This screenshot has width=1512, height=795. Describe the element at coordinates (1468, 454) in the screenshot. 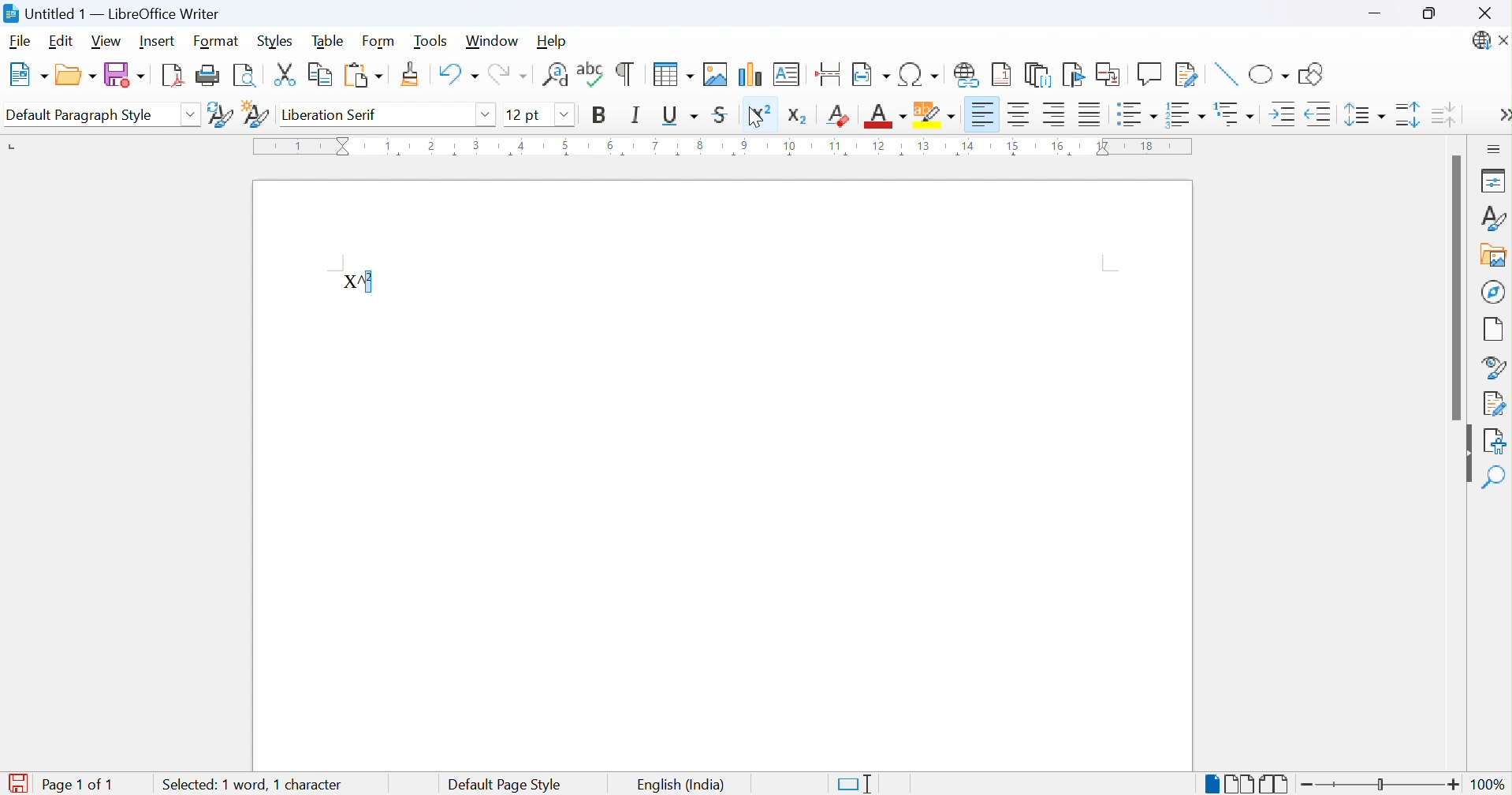

I see `Hide` at that location.